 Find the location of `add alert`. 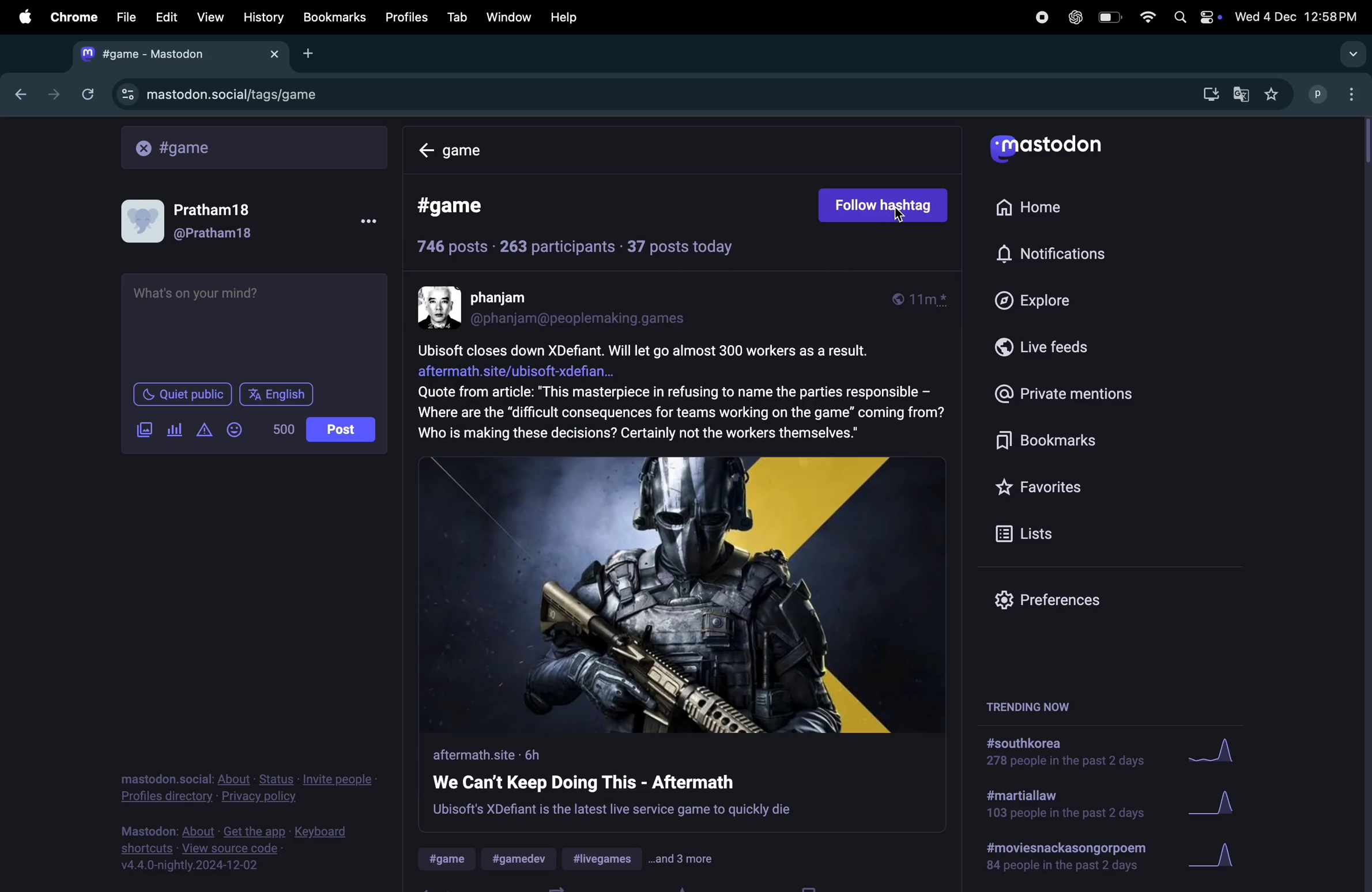

add alert is located at coordinates (206, 430).